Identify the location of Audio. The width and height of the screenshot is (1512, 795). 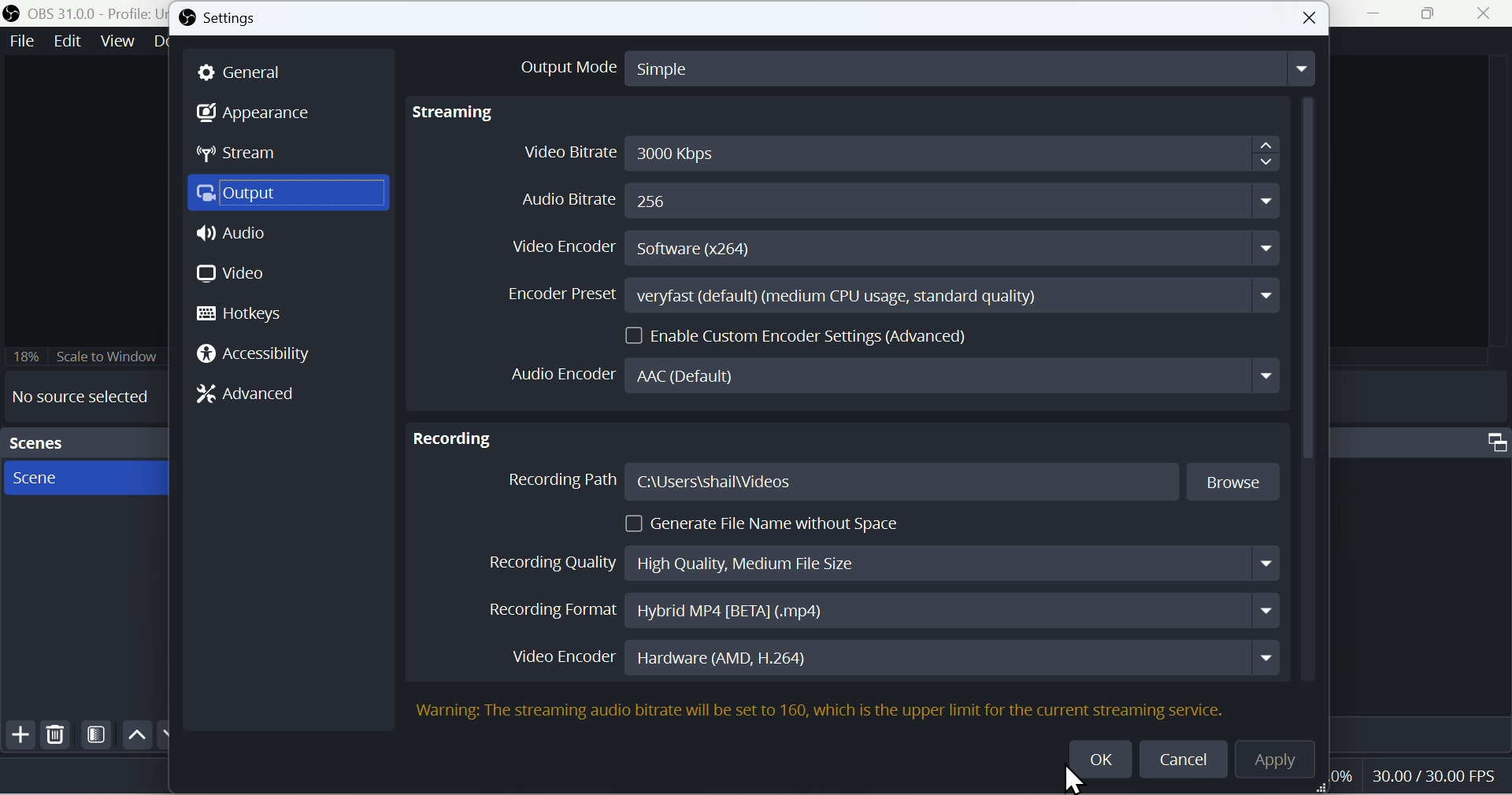
(235, 238).